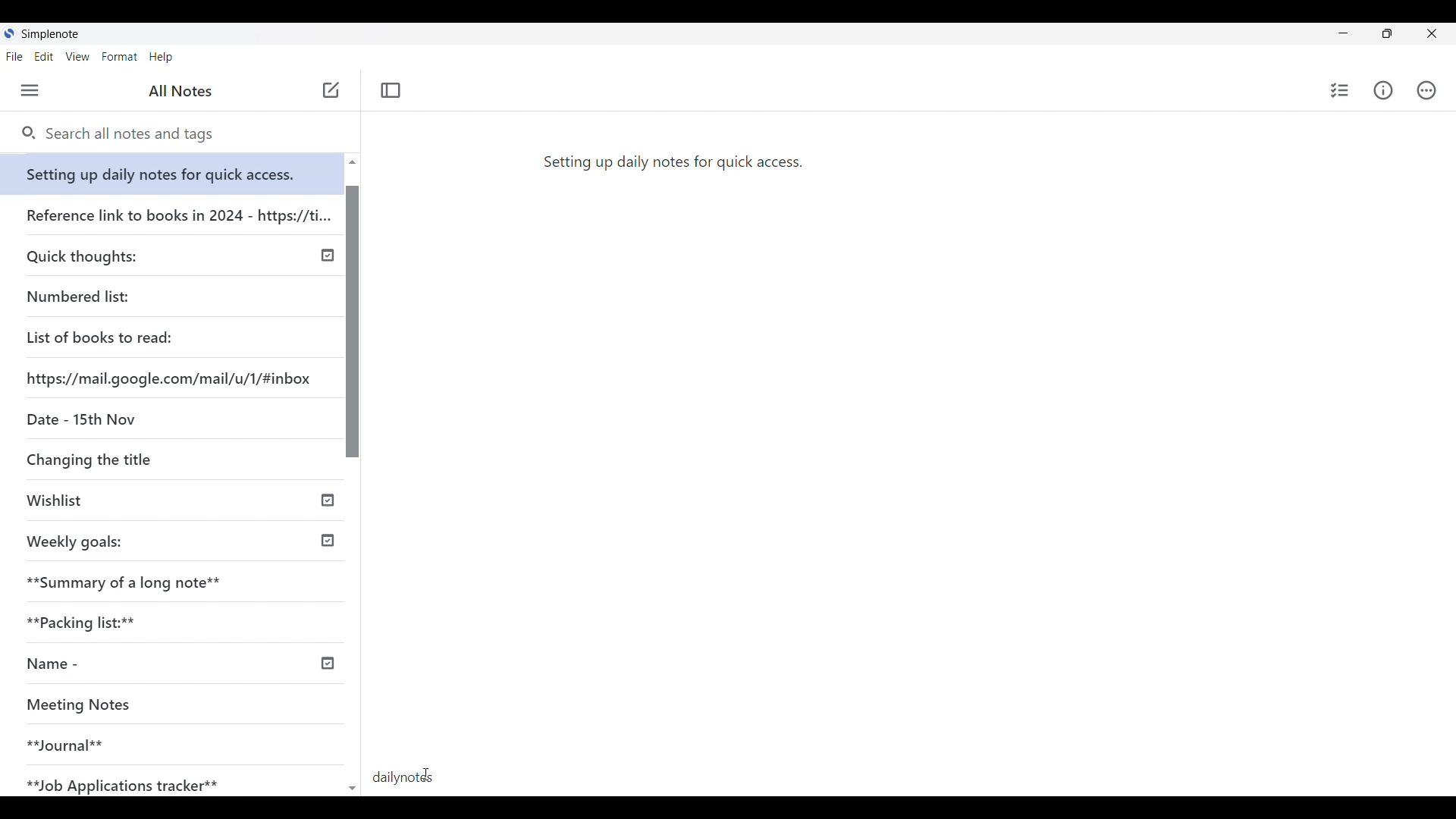 This screenshot has height=819, width=1456. What do you see at coordinates (136, 134) in the screenshot?
I see `Search notes and tags` at bounding box center [136, 134].